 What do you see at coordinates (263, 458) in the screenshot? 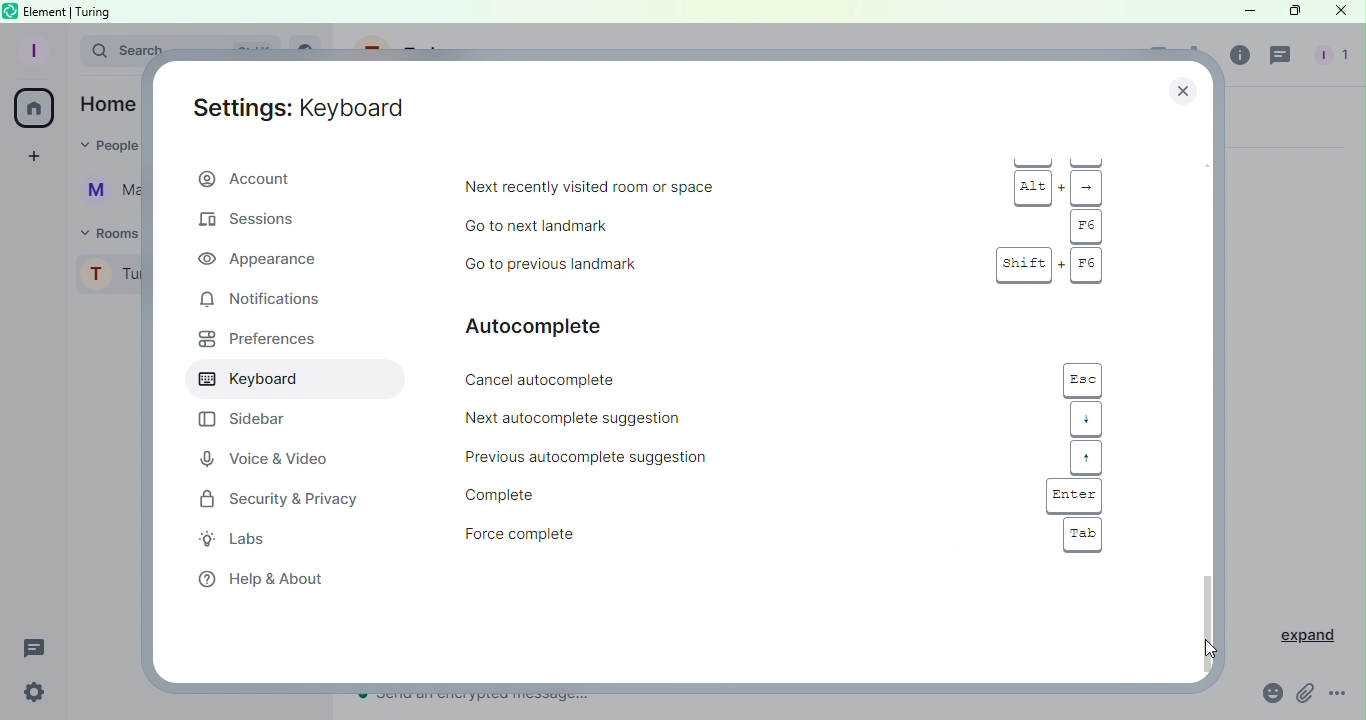
I see `Voice and Video` at bounding box center [263, 458].